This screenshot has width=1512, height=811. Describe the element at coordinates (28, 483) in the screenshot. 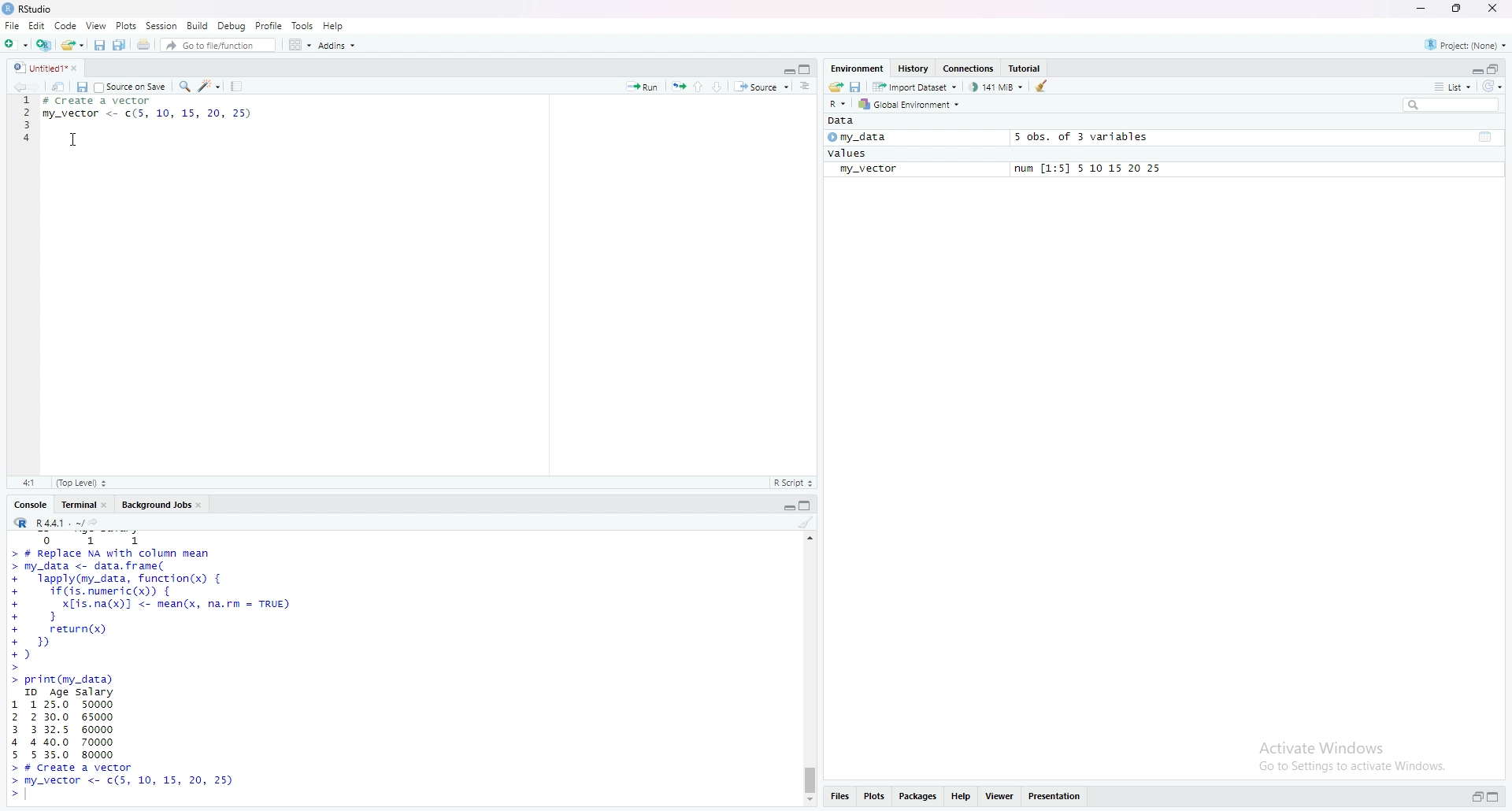

I see `4:1` at that location.